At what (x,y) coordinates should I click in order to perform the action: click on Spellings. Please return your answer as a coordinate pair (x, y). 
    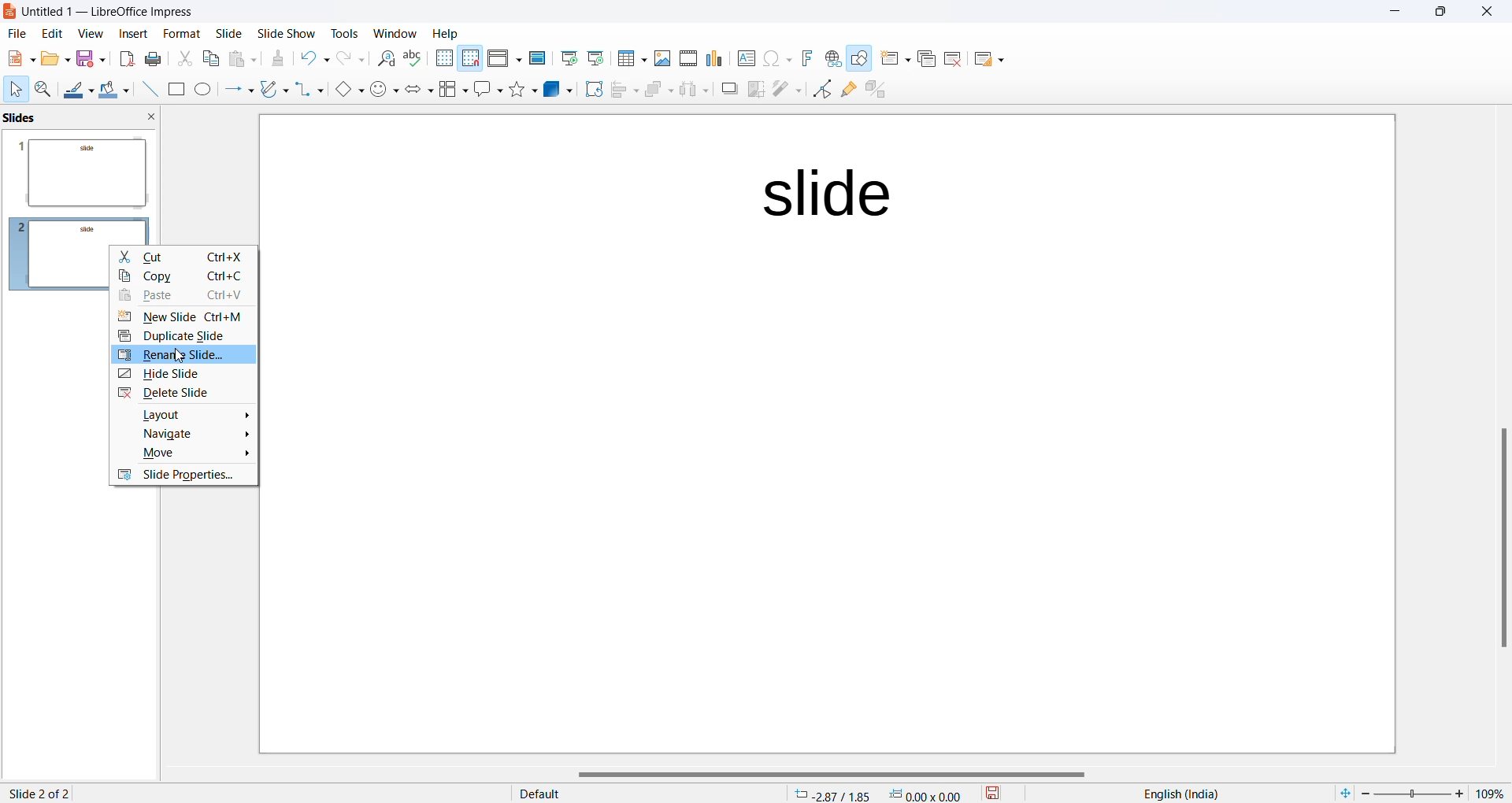
    Looking at the image, I should click on (413, 58).